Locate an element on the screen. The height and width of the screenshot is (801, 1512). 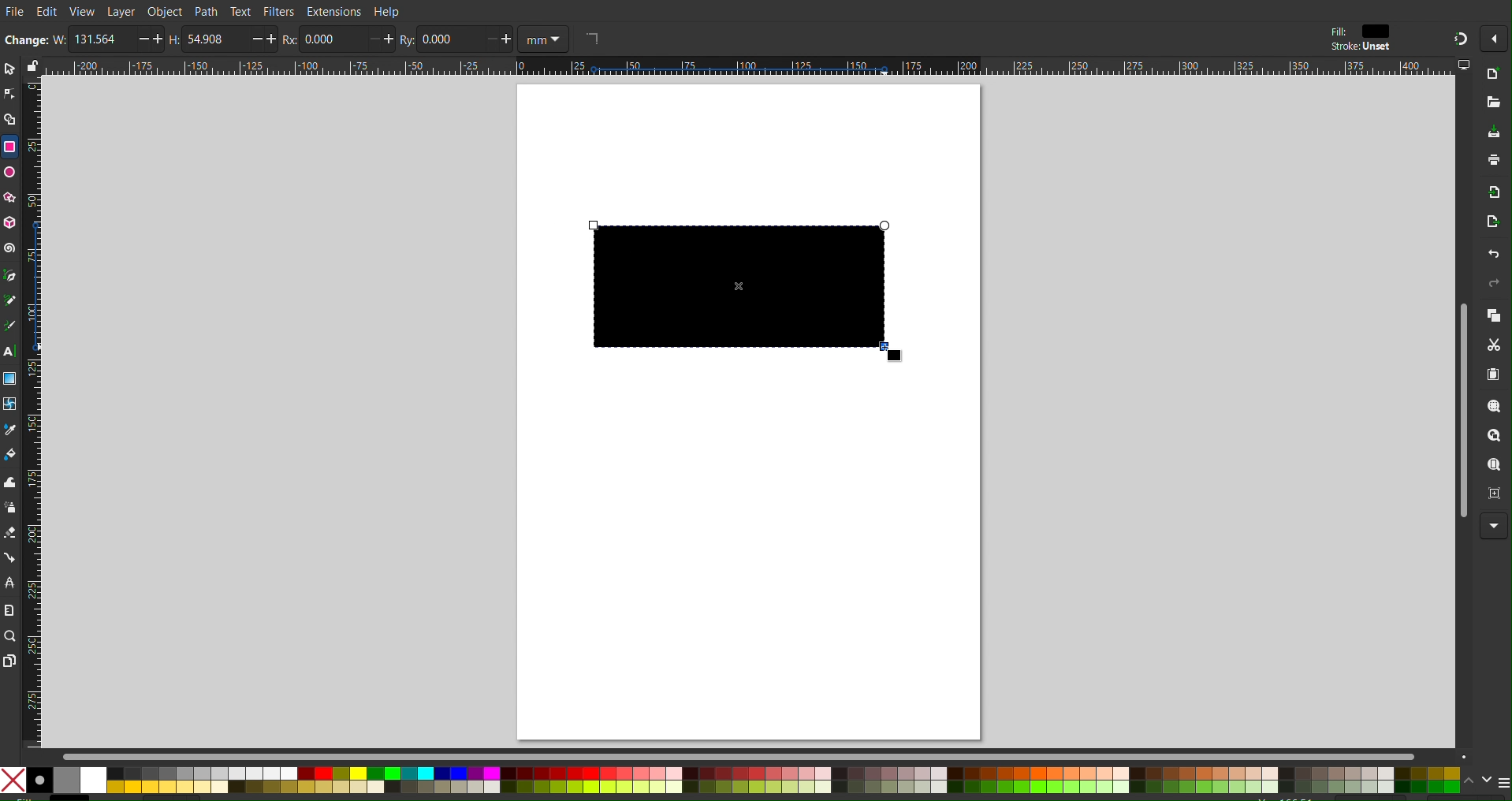
View is located at coordinates (84, 12).